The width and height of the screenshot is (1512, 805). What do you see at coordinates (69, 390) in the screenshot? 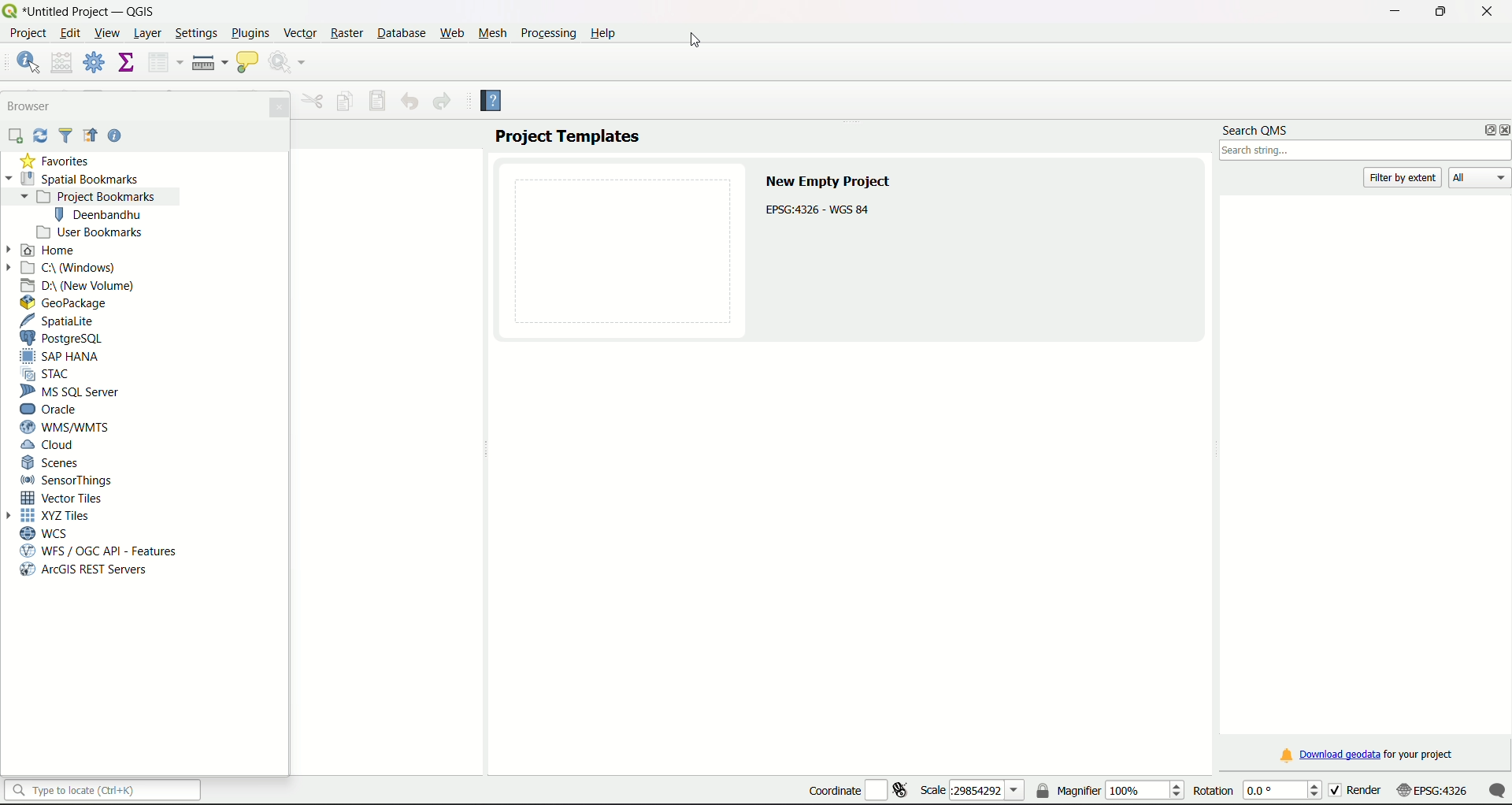
I see `MS SQL Server` at bounding box center [69, 390].